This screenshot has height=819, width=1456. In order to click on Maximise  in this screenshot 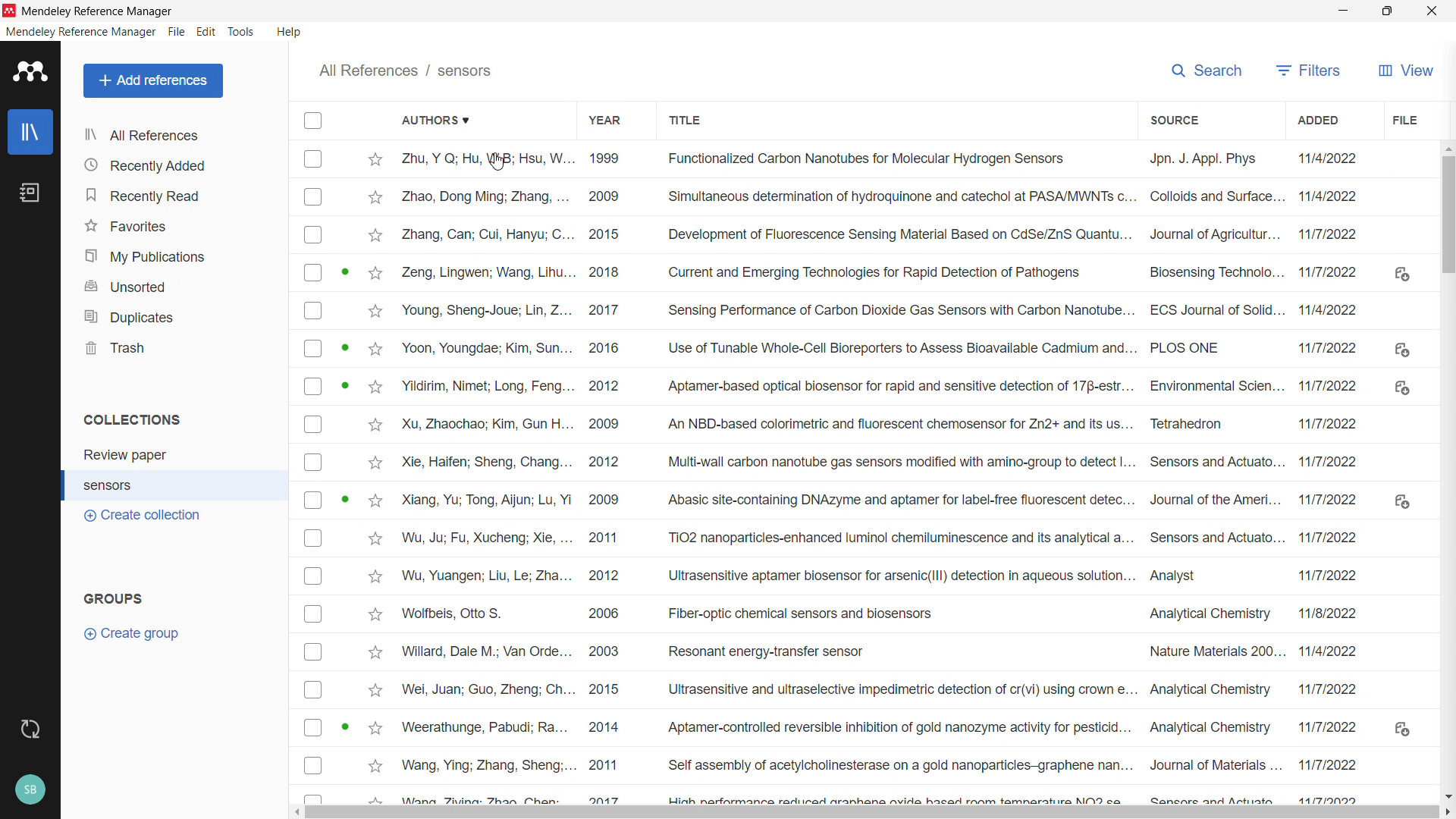, I will do `click(1386, 11)`.